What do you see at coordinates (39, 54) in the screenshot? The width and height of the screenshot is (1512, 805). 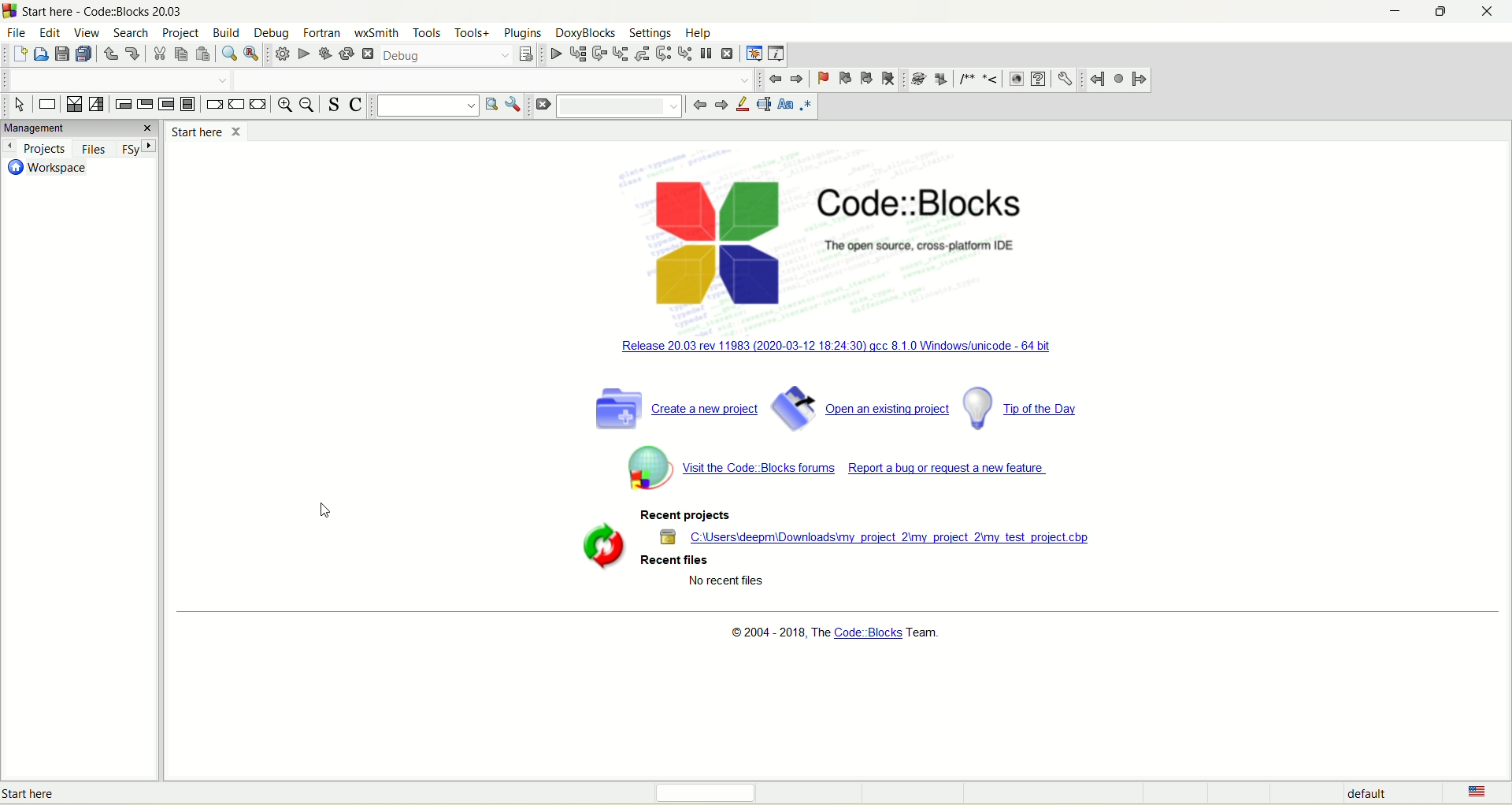 I see `open` at bounding box center [39, 54].